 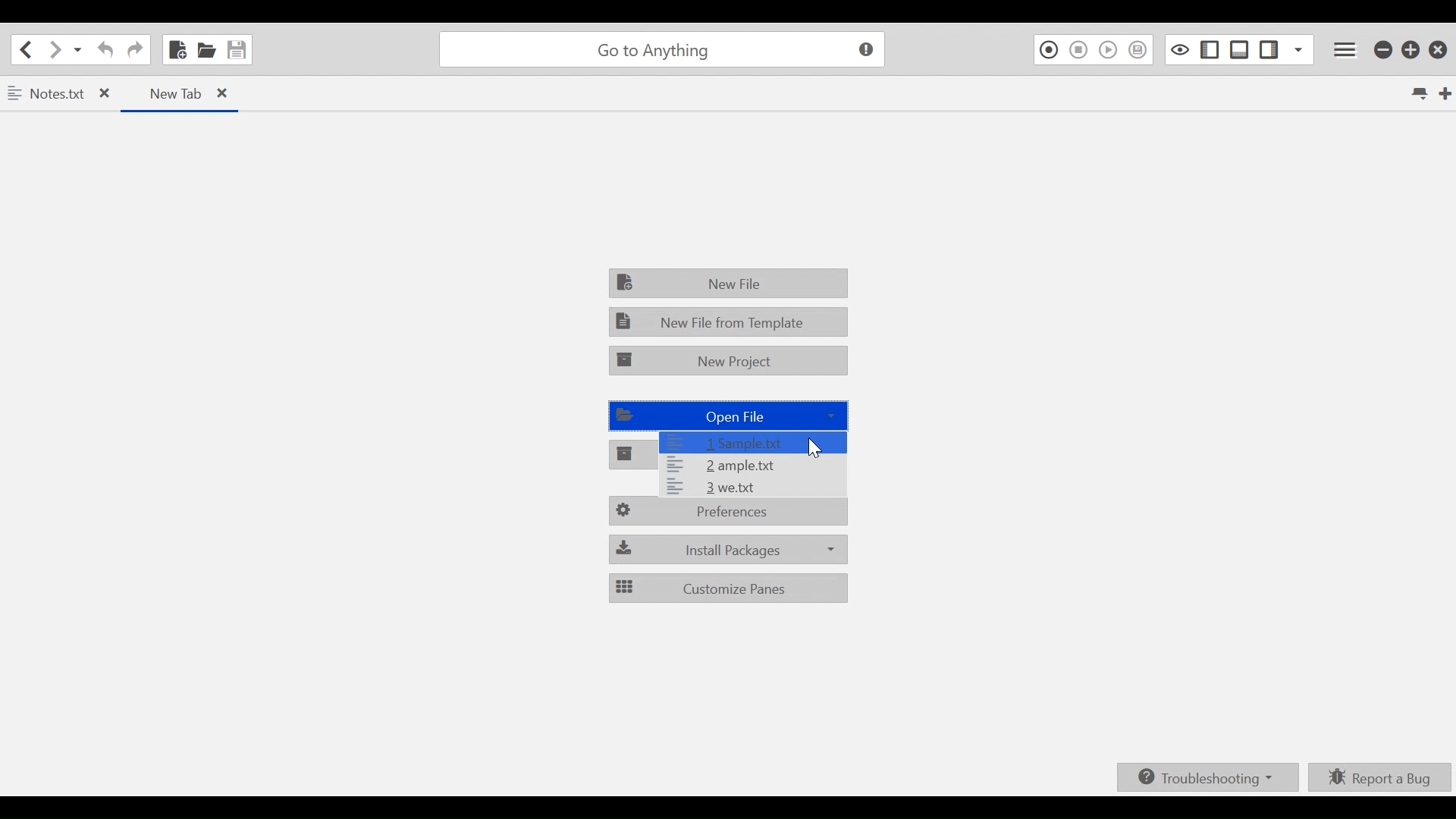 What do you see at coordinates (237, 49) in the screenshot?
I see `Save File` at bounding box center [237, 49].